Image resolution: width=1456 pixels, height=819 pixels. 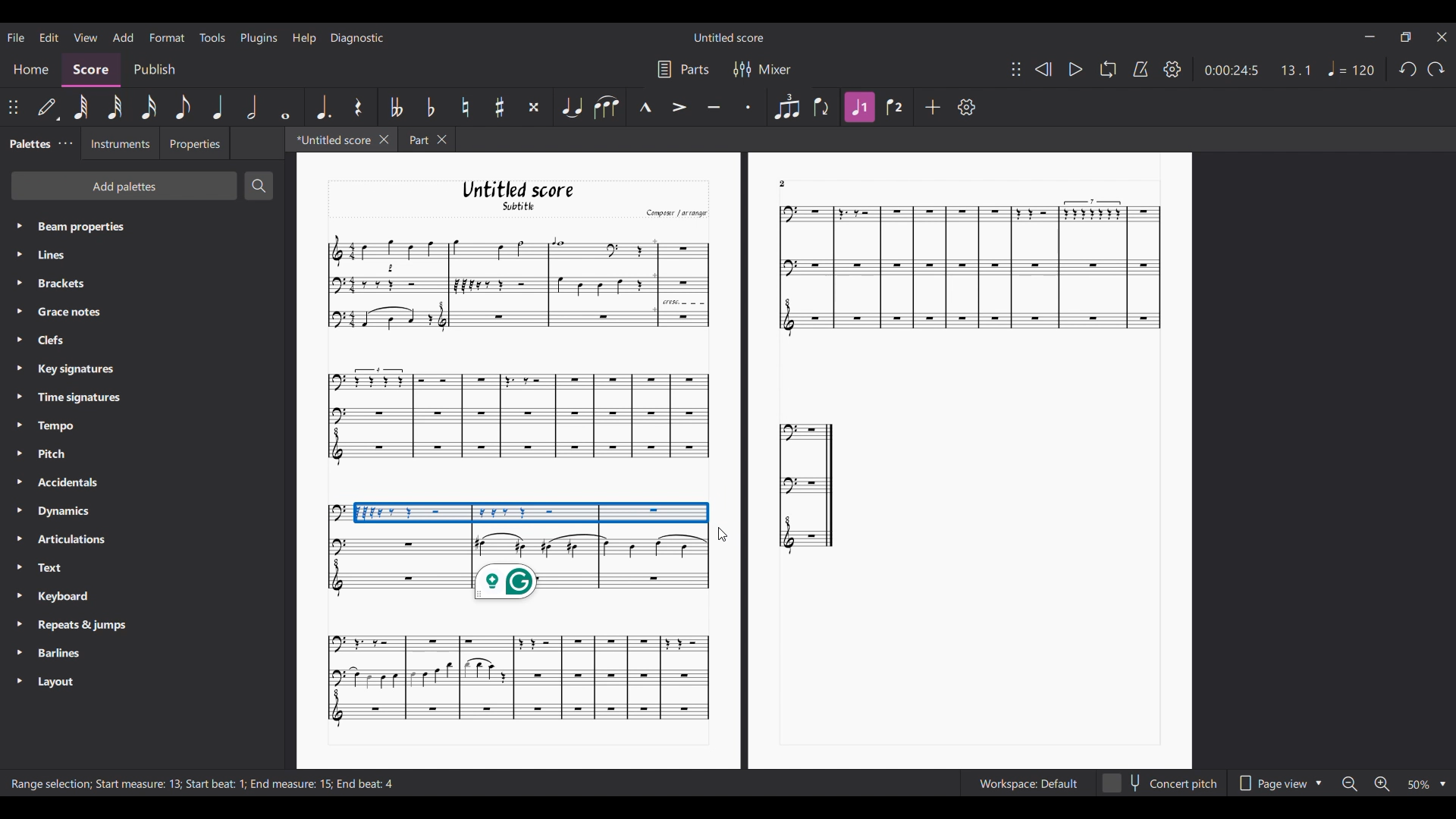 What do you see at coordinates (207, 784) in the screenshot?
I see `Range selection; Start measure: 13, Start beat: 1; End measure; End beat:4` at bounding box center [207, 784].